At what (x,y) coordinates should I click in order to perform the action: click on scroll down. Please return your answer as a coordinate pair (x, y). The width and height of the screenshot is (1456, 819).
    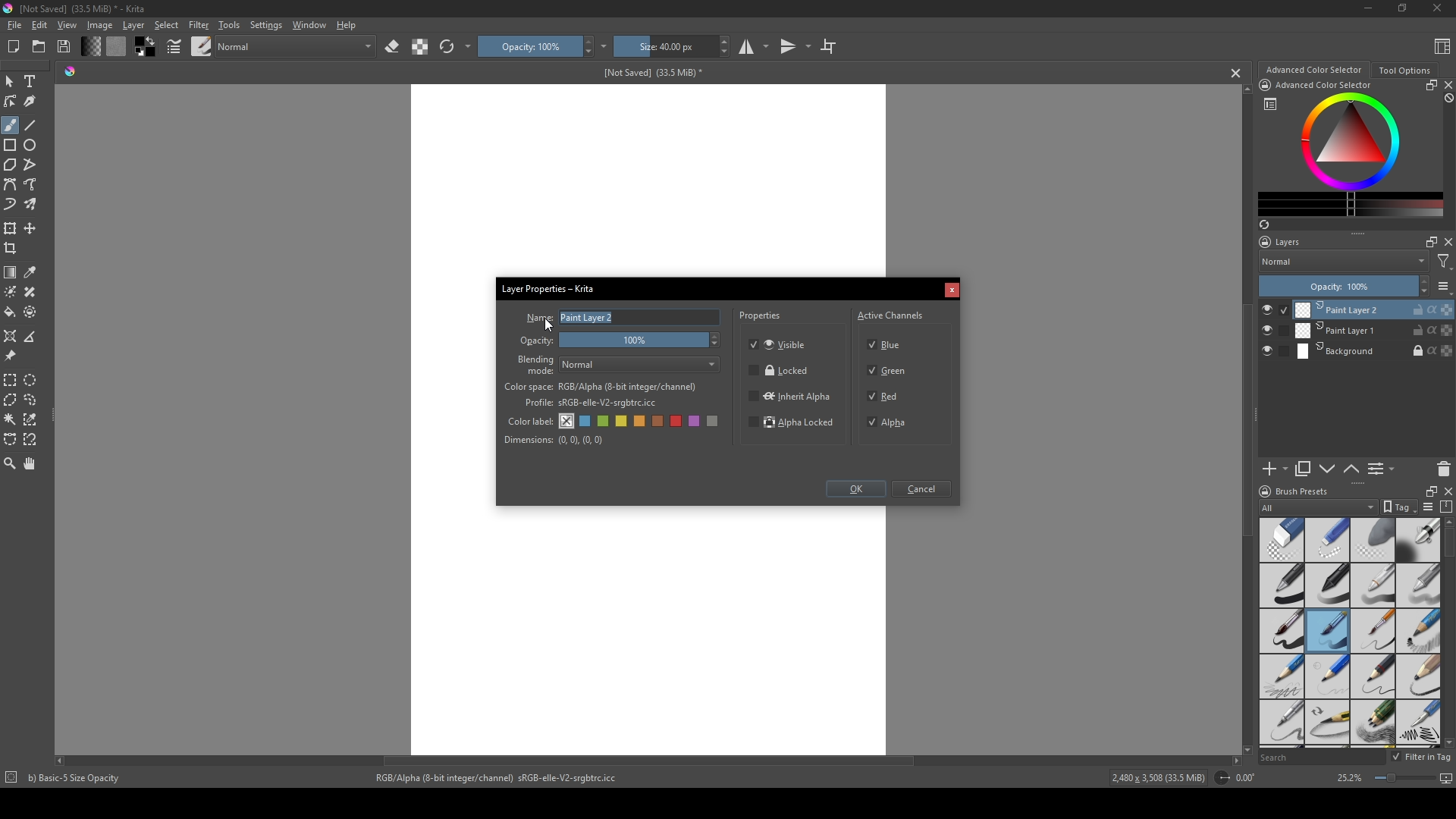
    Looking at the image, I should click on (1244, 748).